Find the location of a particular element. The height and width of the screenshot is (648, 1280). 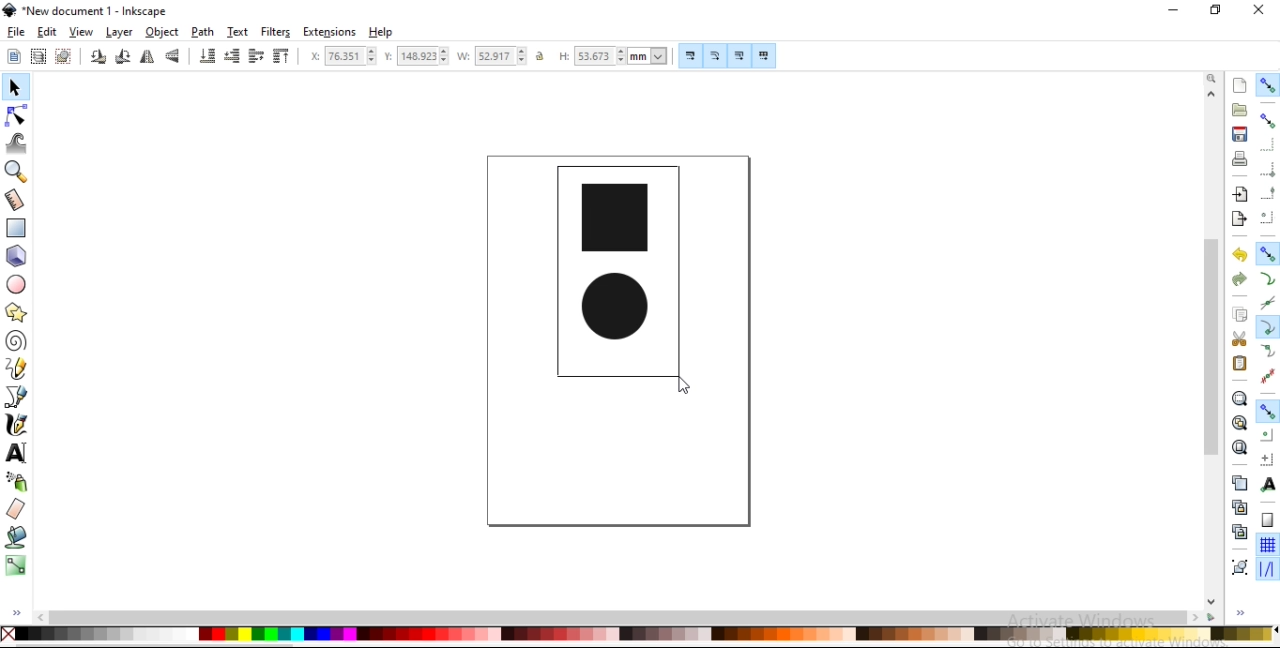

create a new document is located at coordinates (1241, 85).